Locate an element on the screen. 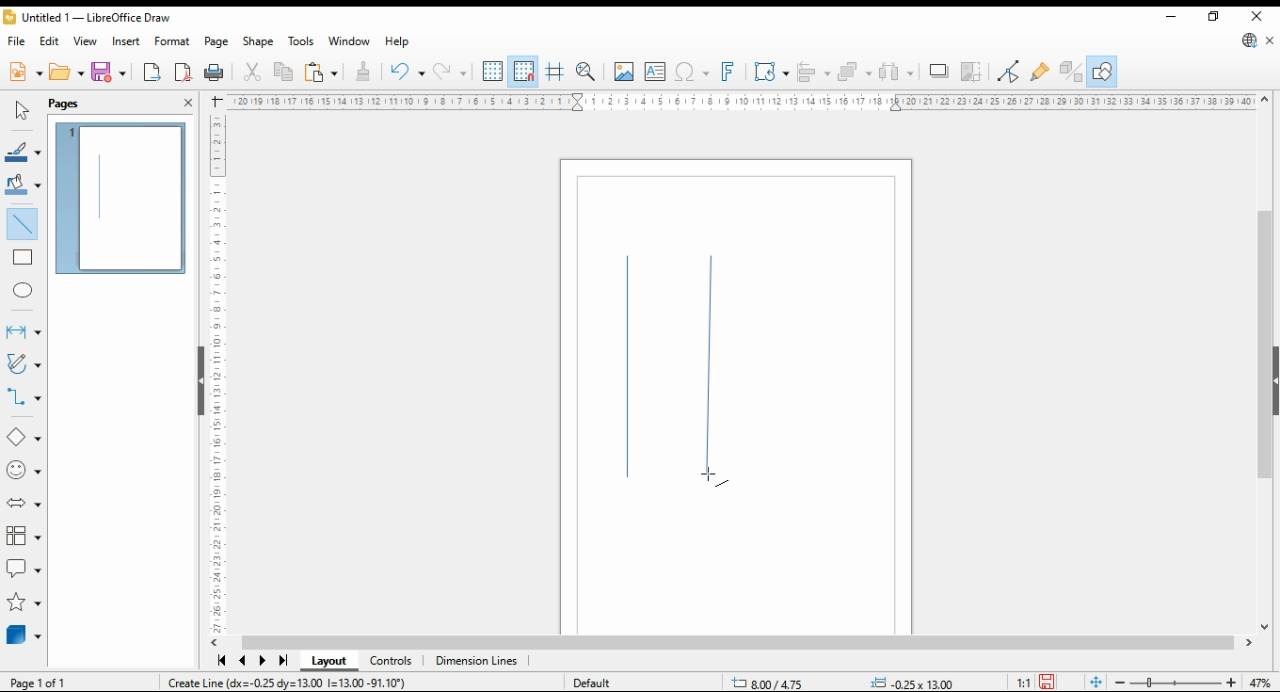 The width and height of the screenshot is (1280, 692). helplines for moving is located at coordinates (556, 70).